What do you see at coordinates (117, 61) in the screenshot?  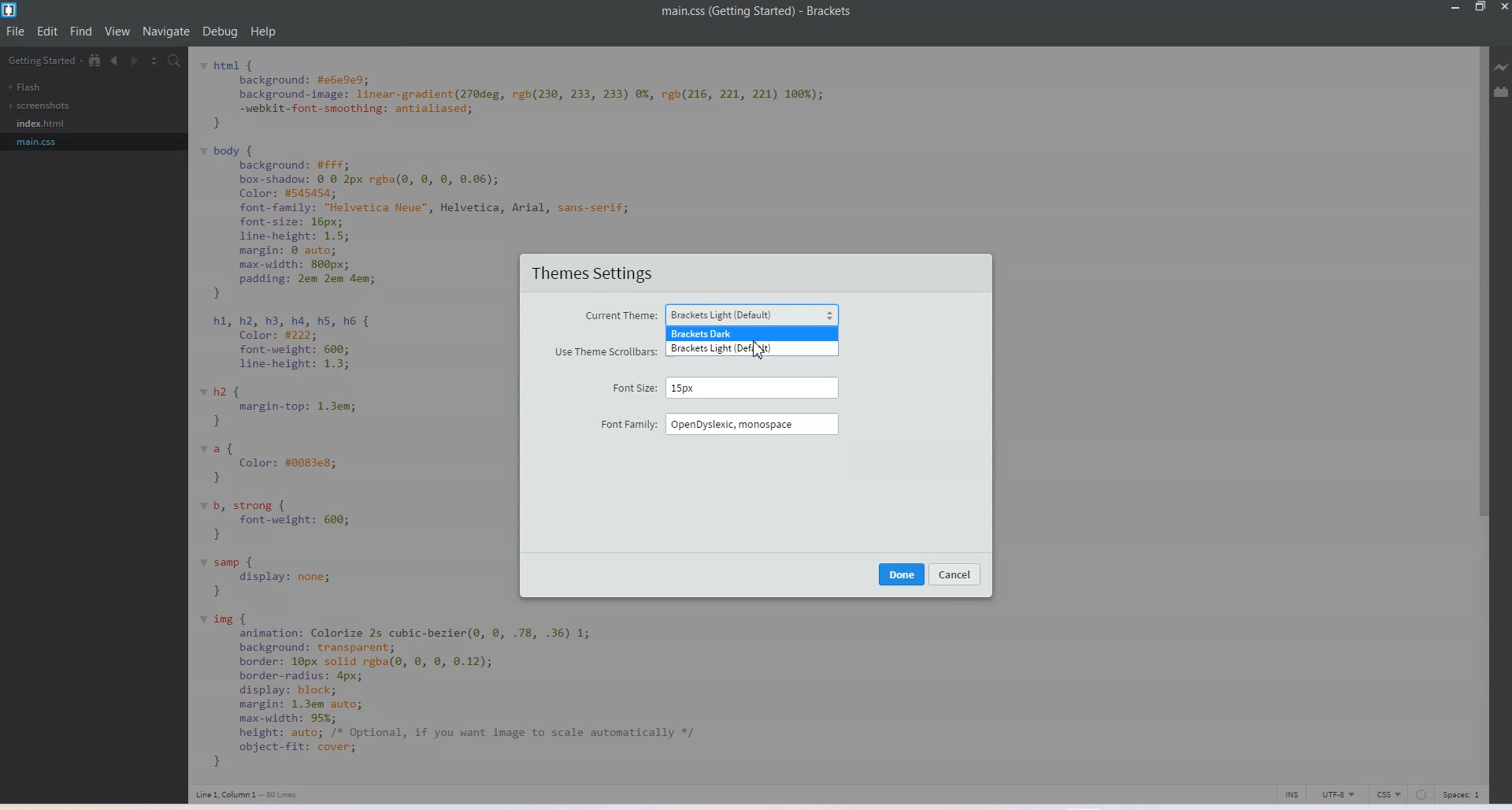 I see `Navigate Backward` at bounding box center [117, 61].